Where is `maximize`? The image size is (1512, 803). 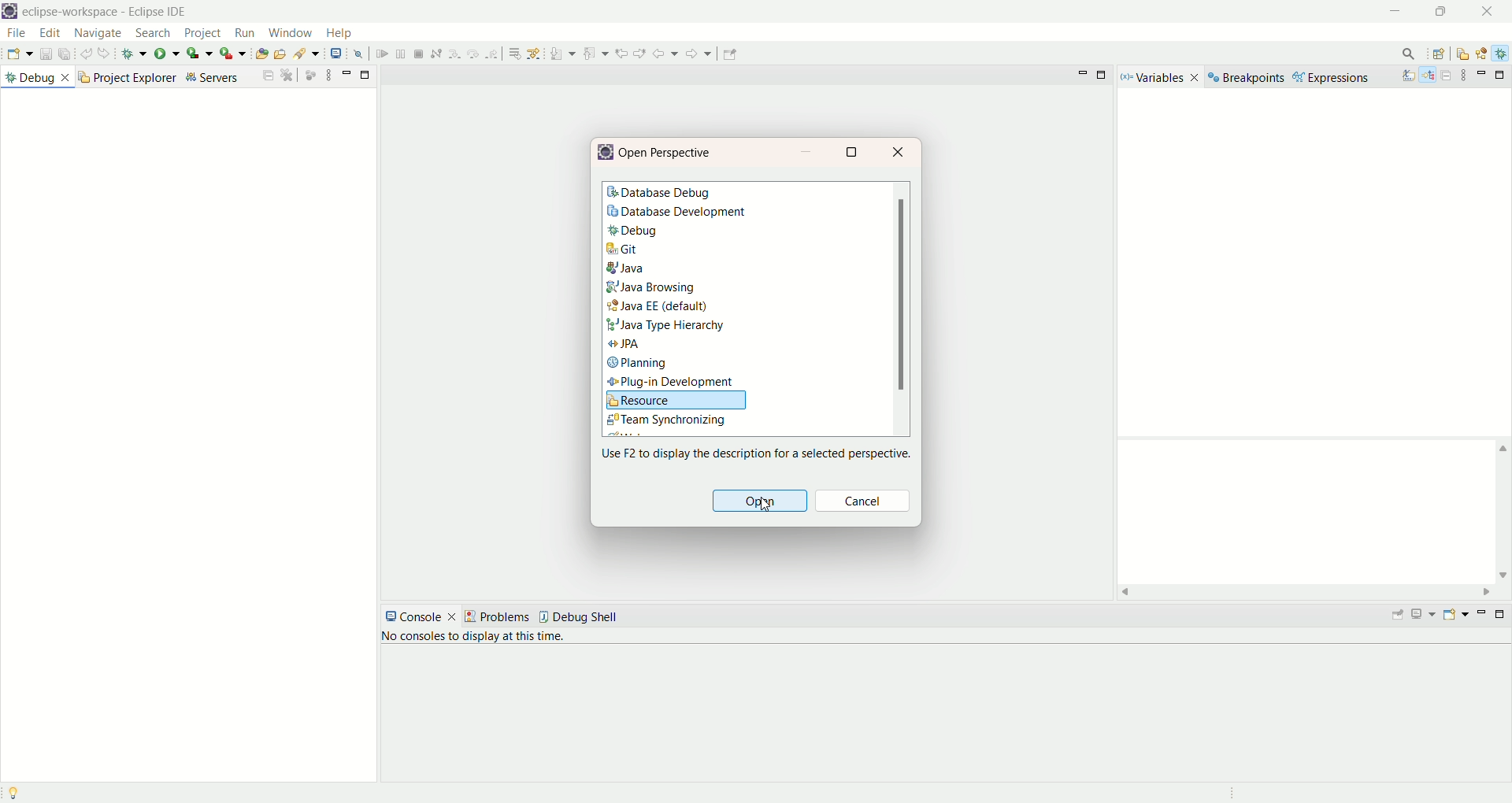
maximize is located at coordinates (1503, 617).